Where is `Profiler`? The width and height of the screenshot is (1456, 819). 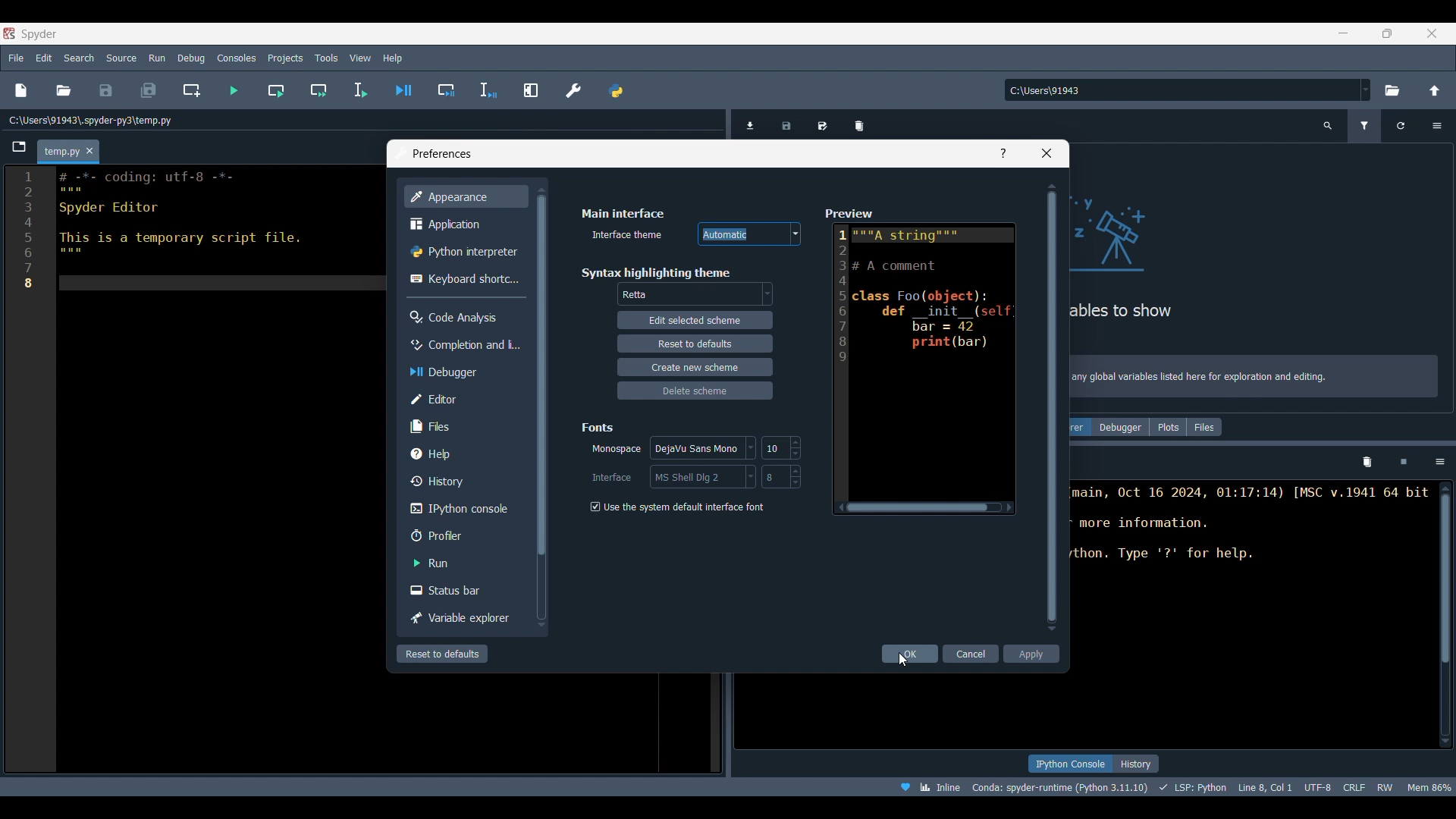 Profiler is located at coordinates (465, 535).